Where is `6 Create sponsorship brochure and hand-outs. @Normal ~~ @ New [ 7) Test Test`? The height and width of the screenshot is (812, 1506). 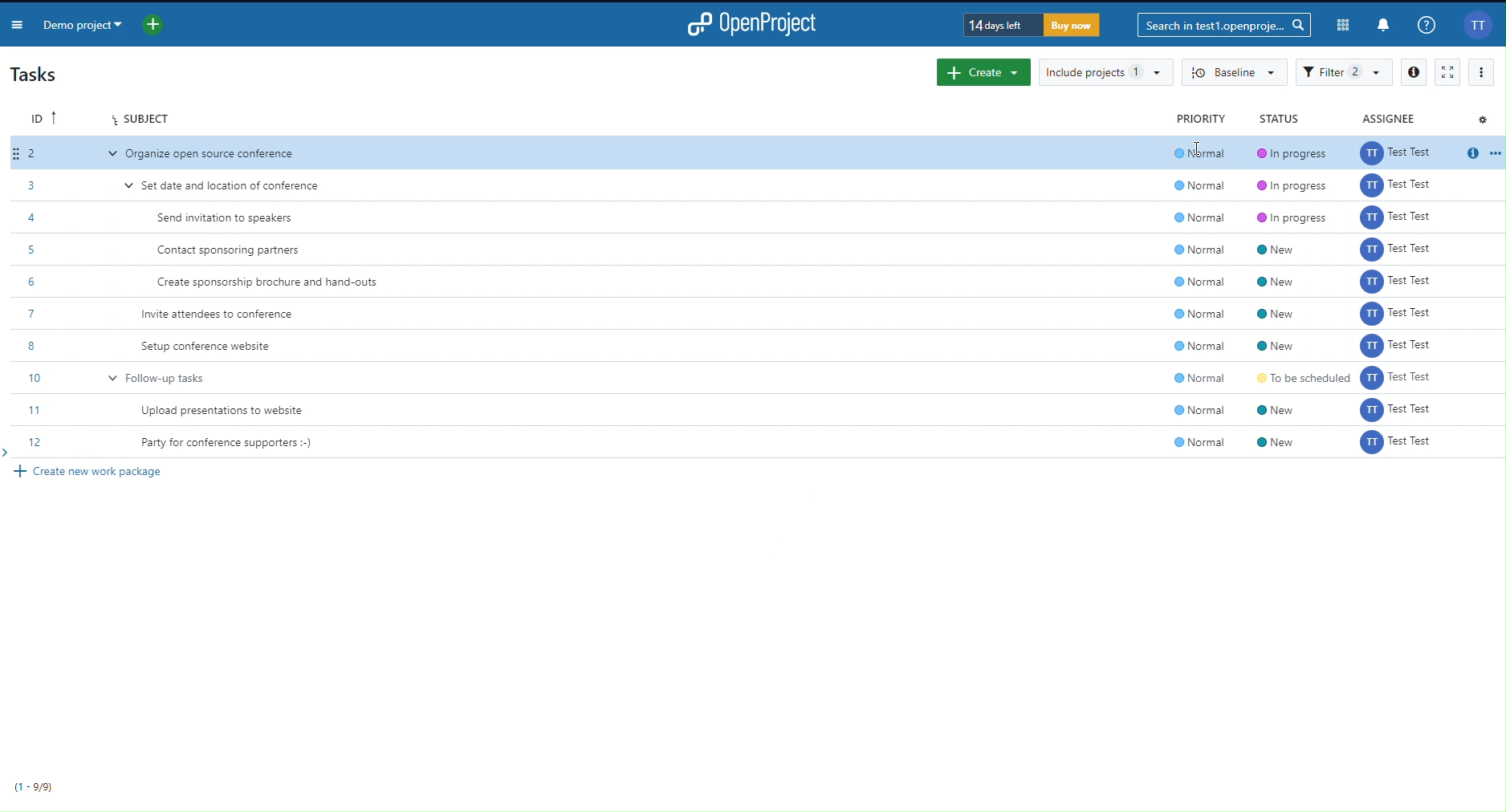 6 Create sponsorship brochure and hand-outs. @Normal ~~ @ New [ 7) Test Test is located at coordinates (760, 283).